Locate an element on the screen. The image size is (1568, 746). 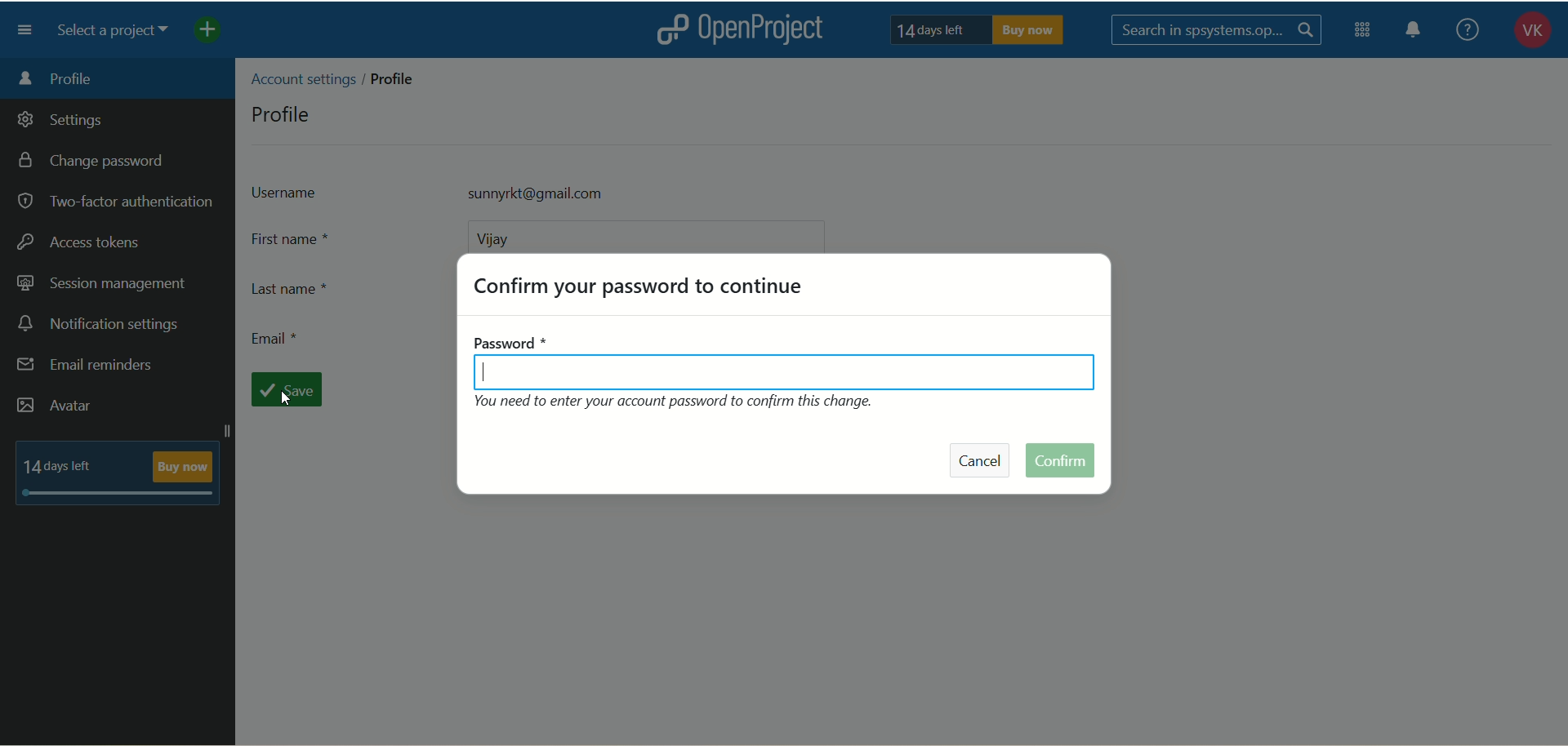
email reminders is located at coordinates (87, 368).